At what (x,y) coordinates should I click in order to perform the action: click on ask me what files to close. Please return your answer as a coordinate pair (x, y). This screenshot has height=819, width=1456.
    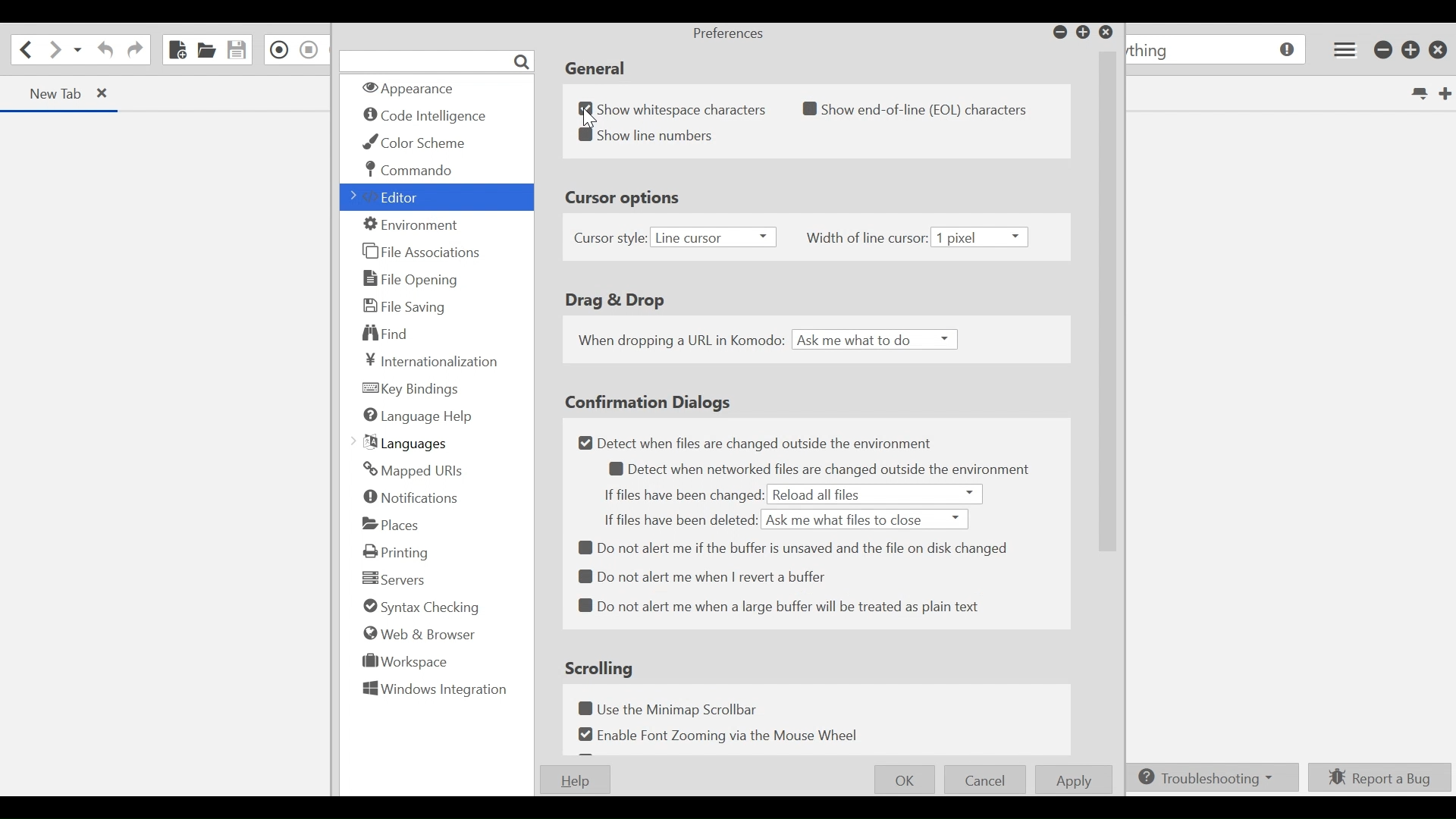
    Looking at the image, I should click on (866, 519).